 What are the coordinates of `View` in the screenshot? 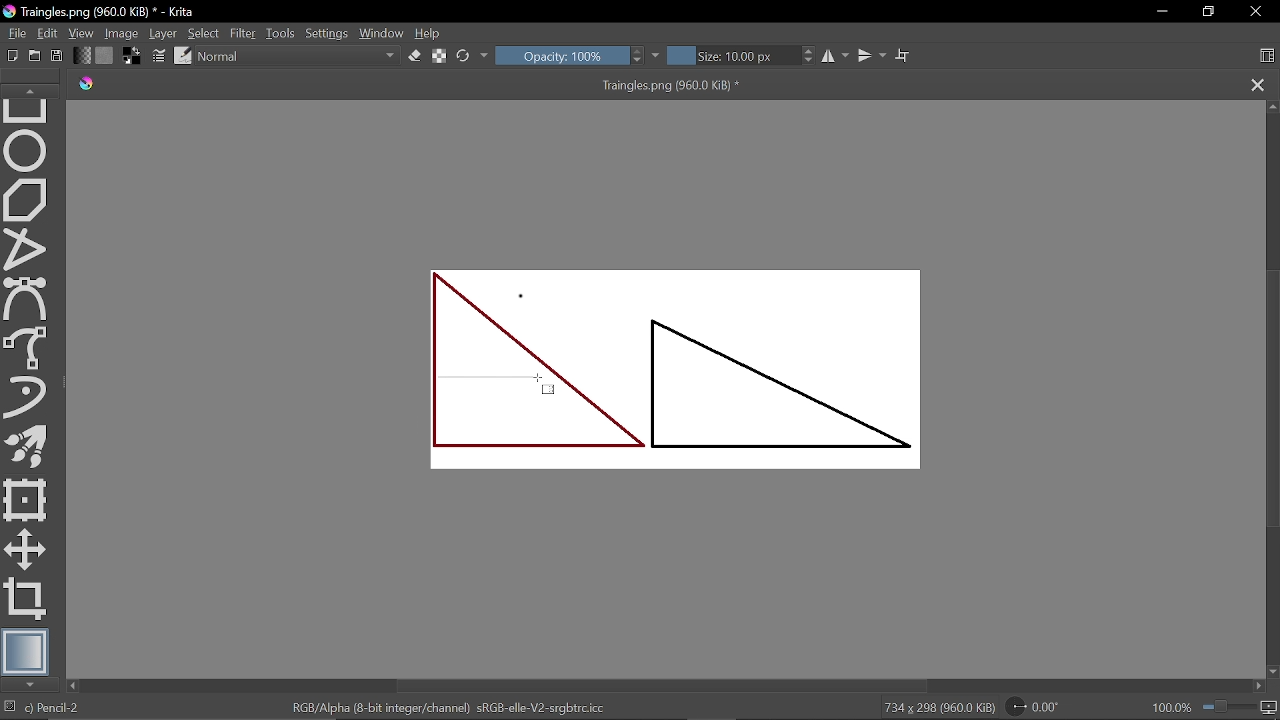 It's located at (81, 32).